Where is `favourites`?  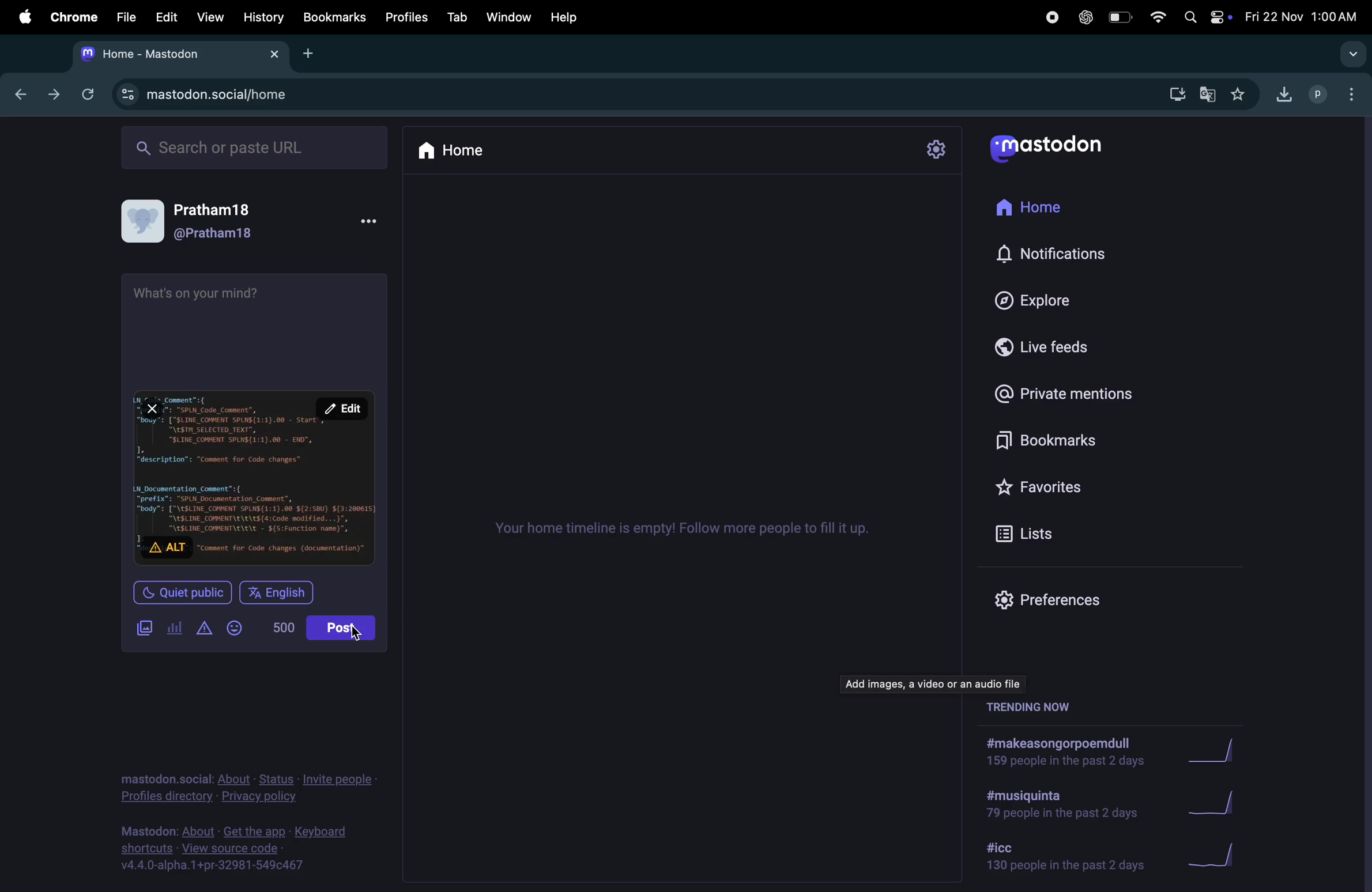 favourites is located at coordinates (1074, 485).